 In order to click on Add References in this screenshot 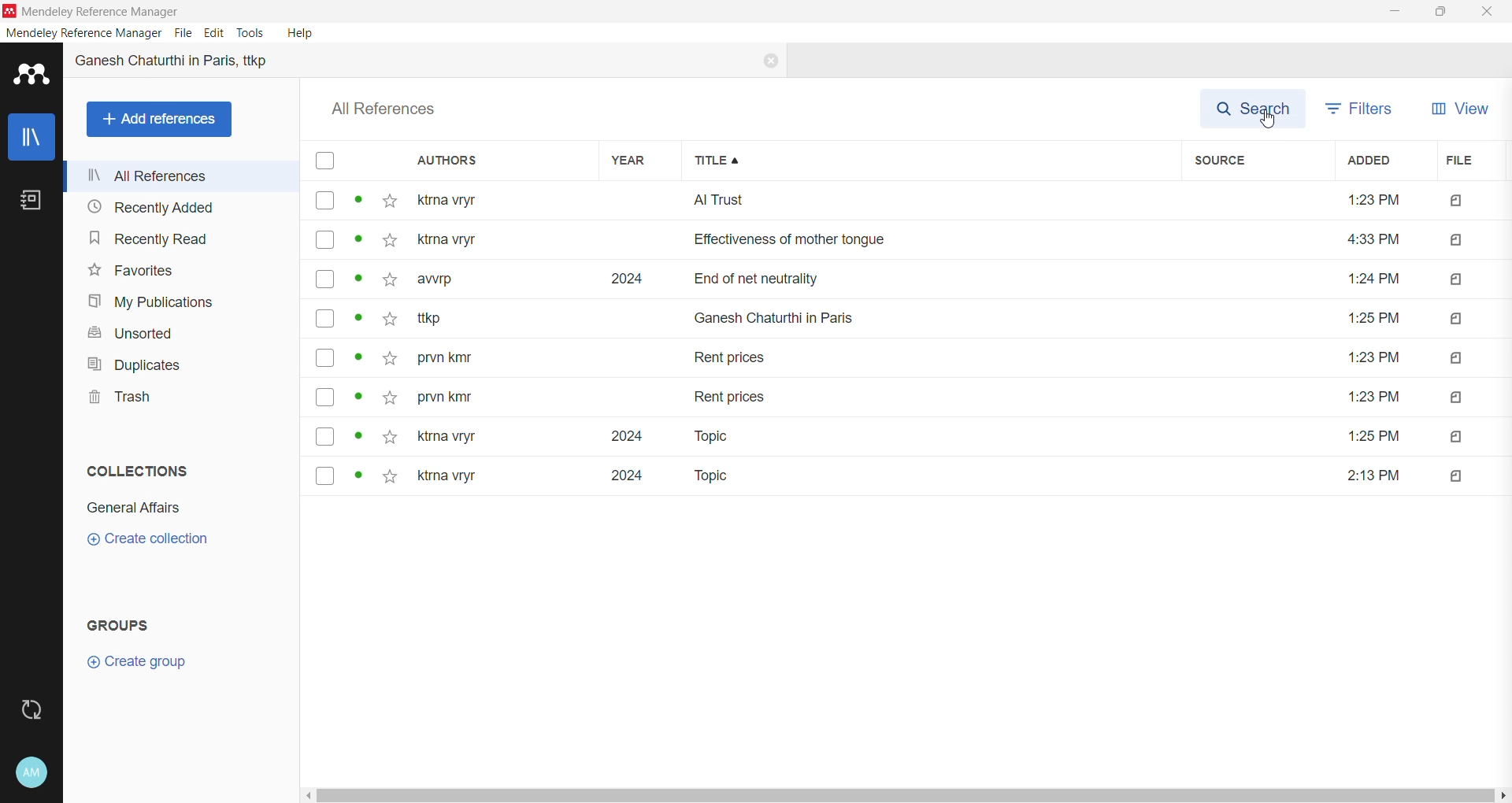, I will do `click(159, 120)`.